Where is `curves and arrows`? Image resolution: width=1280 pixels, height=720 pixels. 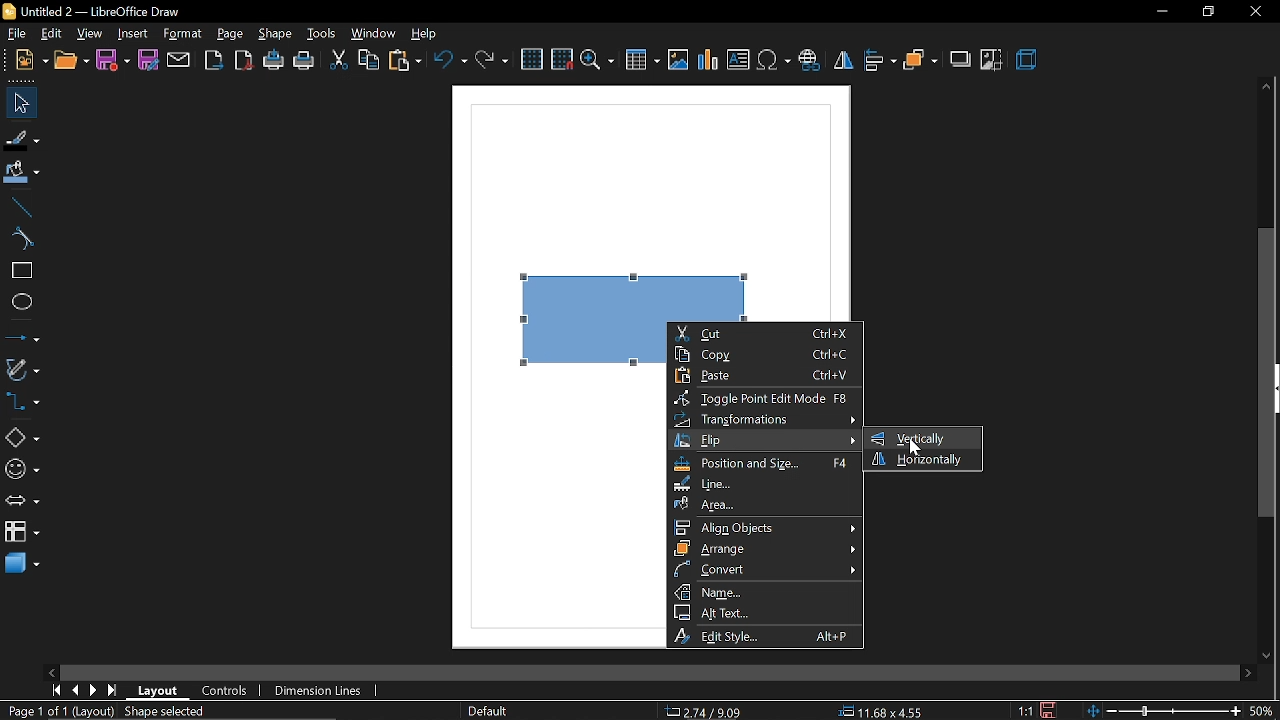
curves and arrows is located at coordinates (23, 369).